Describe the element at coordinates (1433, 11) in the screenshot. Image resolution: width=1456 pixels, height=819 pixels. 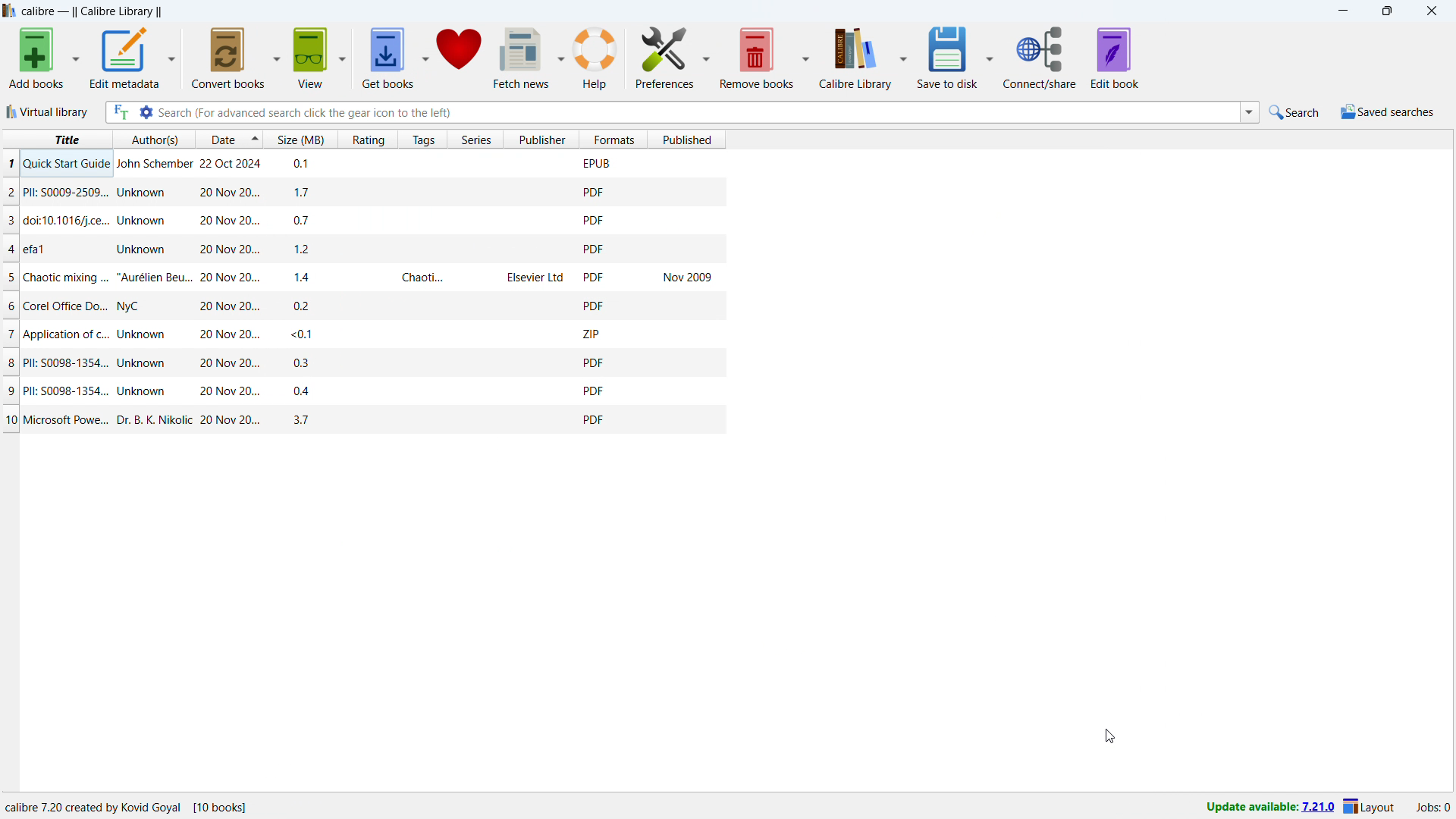
I see `close` at that location.